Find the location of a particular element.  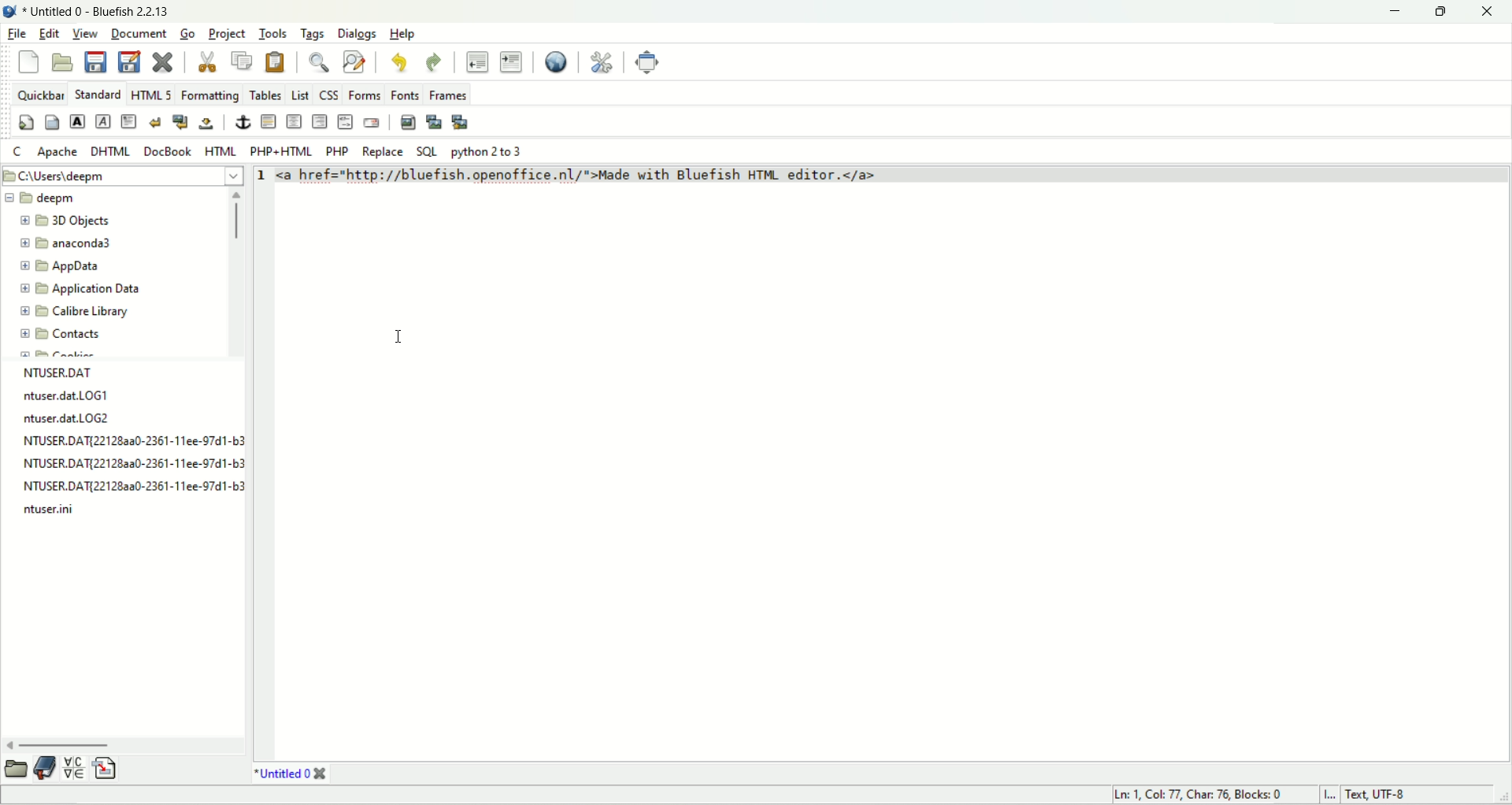

ln, col, char, blocks is located at coordinates (1193, 796).